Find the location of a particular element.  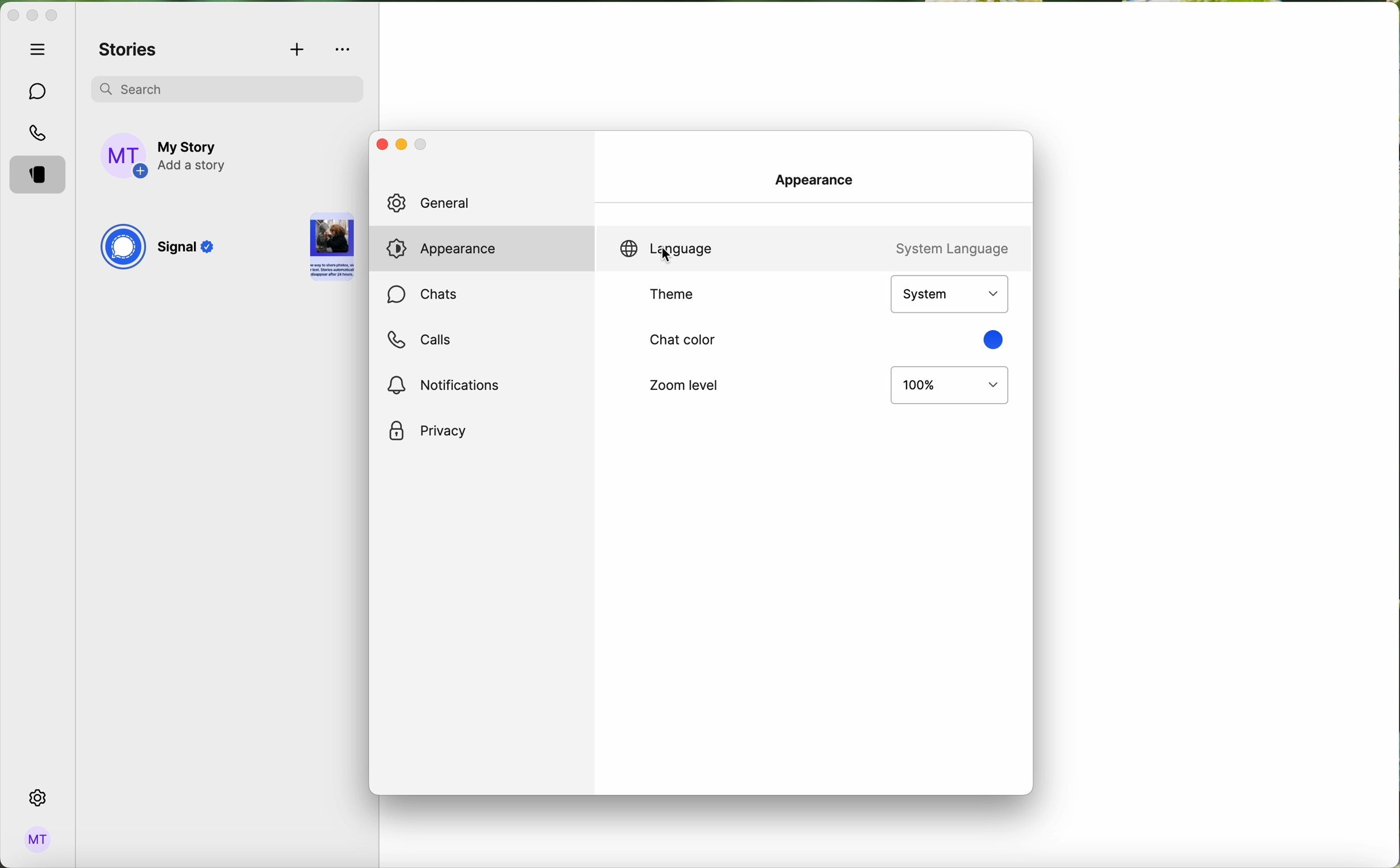

close Signal is located at coordinates (12, 16).